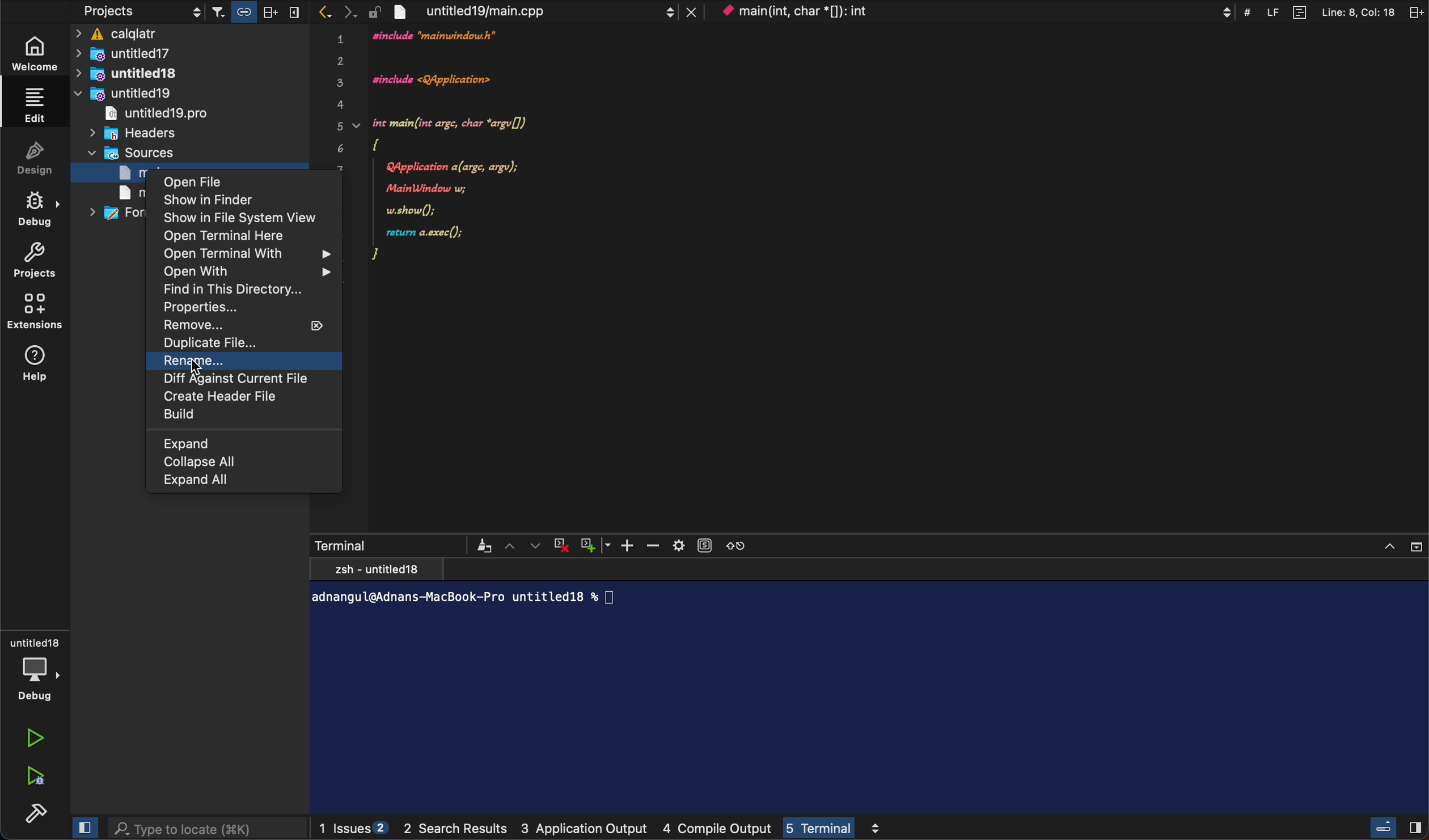 The height and width of the screenshot is (840, 1429). Describe the element at coordinates (630, 545) in the screenshot. I see `Plus` at that location.